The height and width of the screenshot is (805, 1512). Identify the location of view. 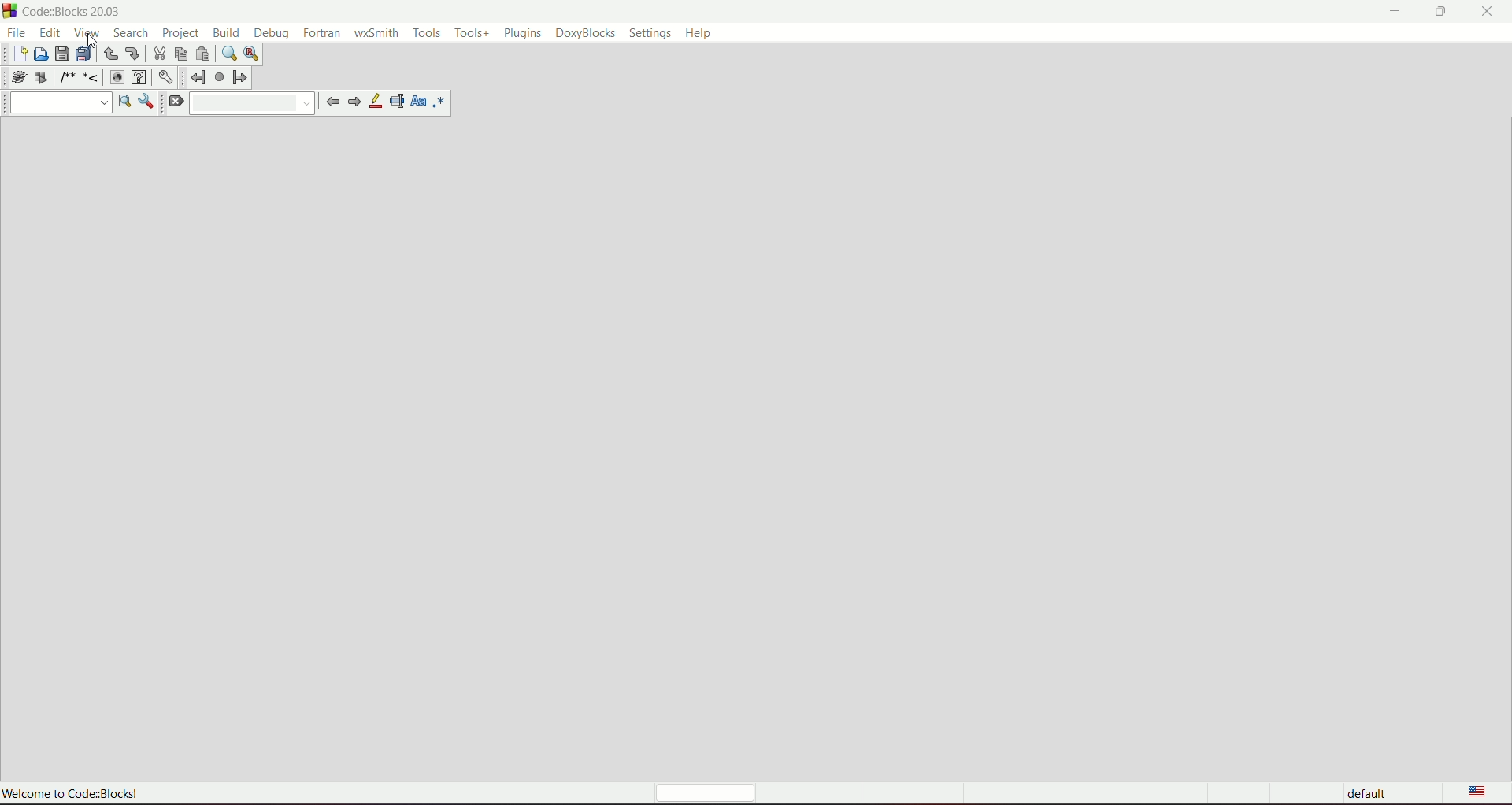
(84, 32).